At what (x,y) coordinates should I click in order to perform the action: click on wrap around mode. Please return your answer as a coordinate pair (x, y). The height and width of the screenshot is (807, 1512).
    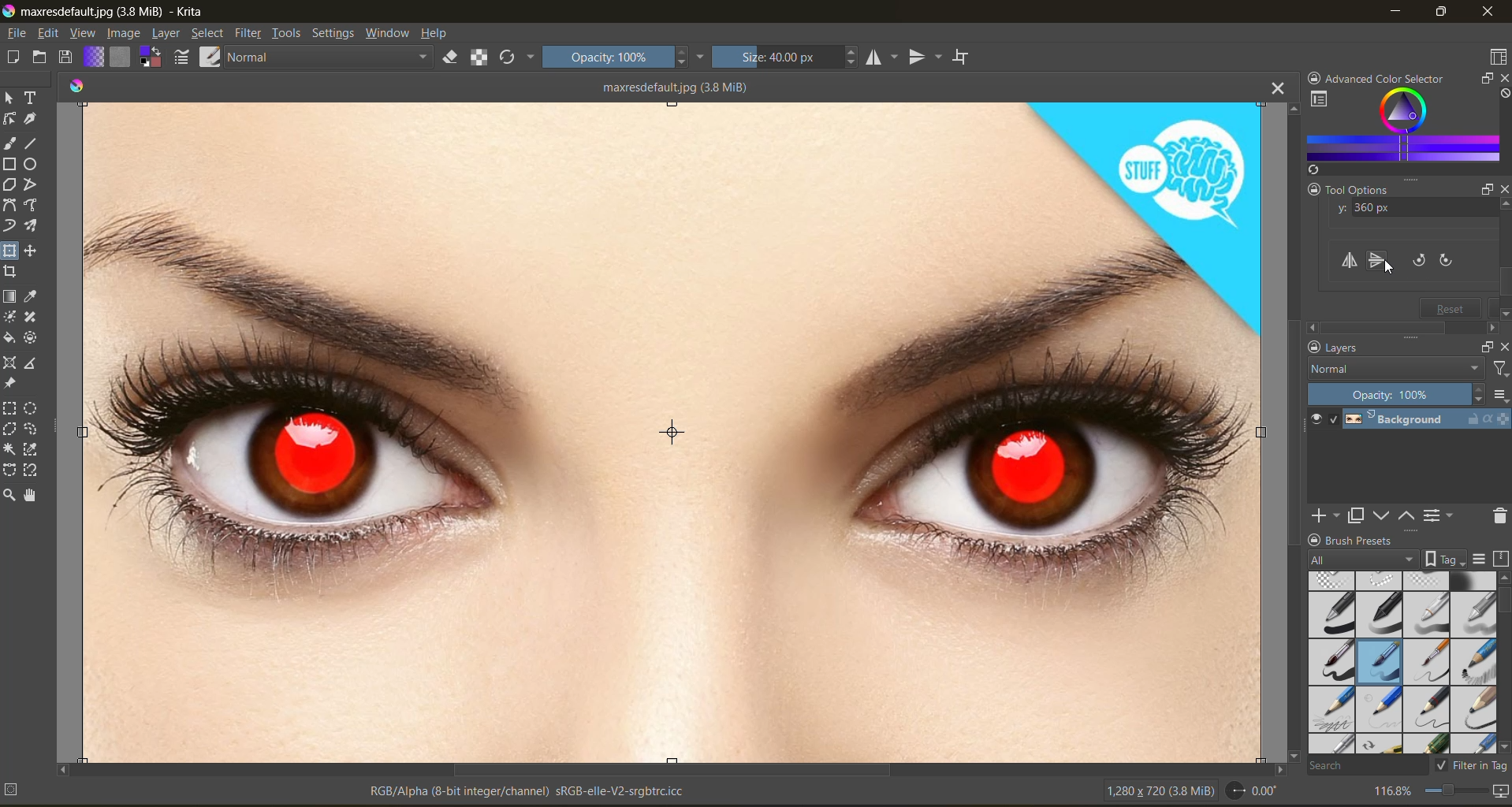
    Looking at the image, I should click on (963, 55).